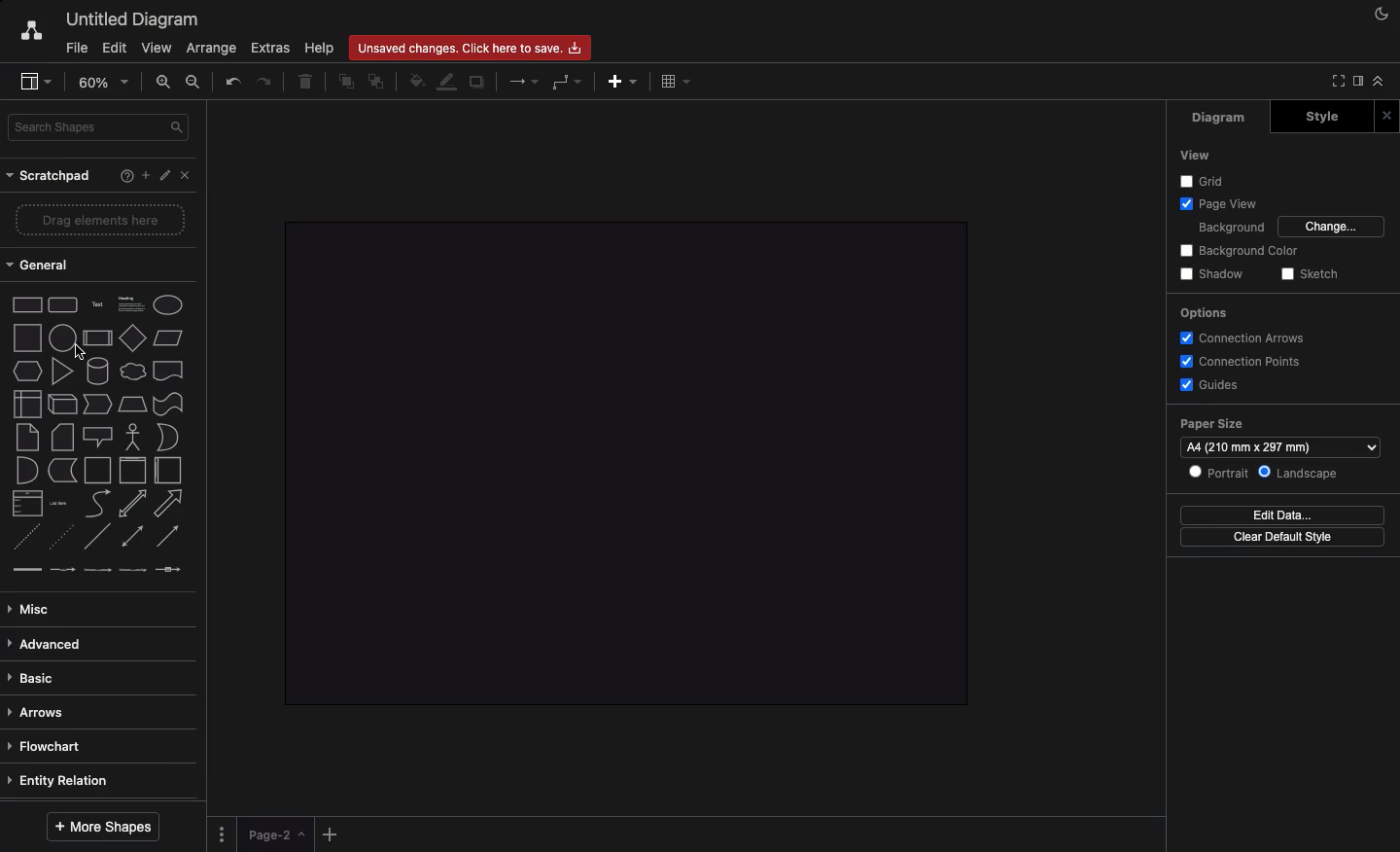 Image resolution: width=1400 pixels, height=852 pixels. Describe the element at coordinates (51, 175) in the screenshot. I see `Scratchpad ` at that location.